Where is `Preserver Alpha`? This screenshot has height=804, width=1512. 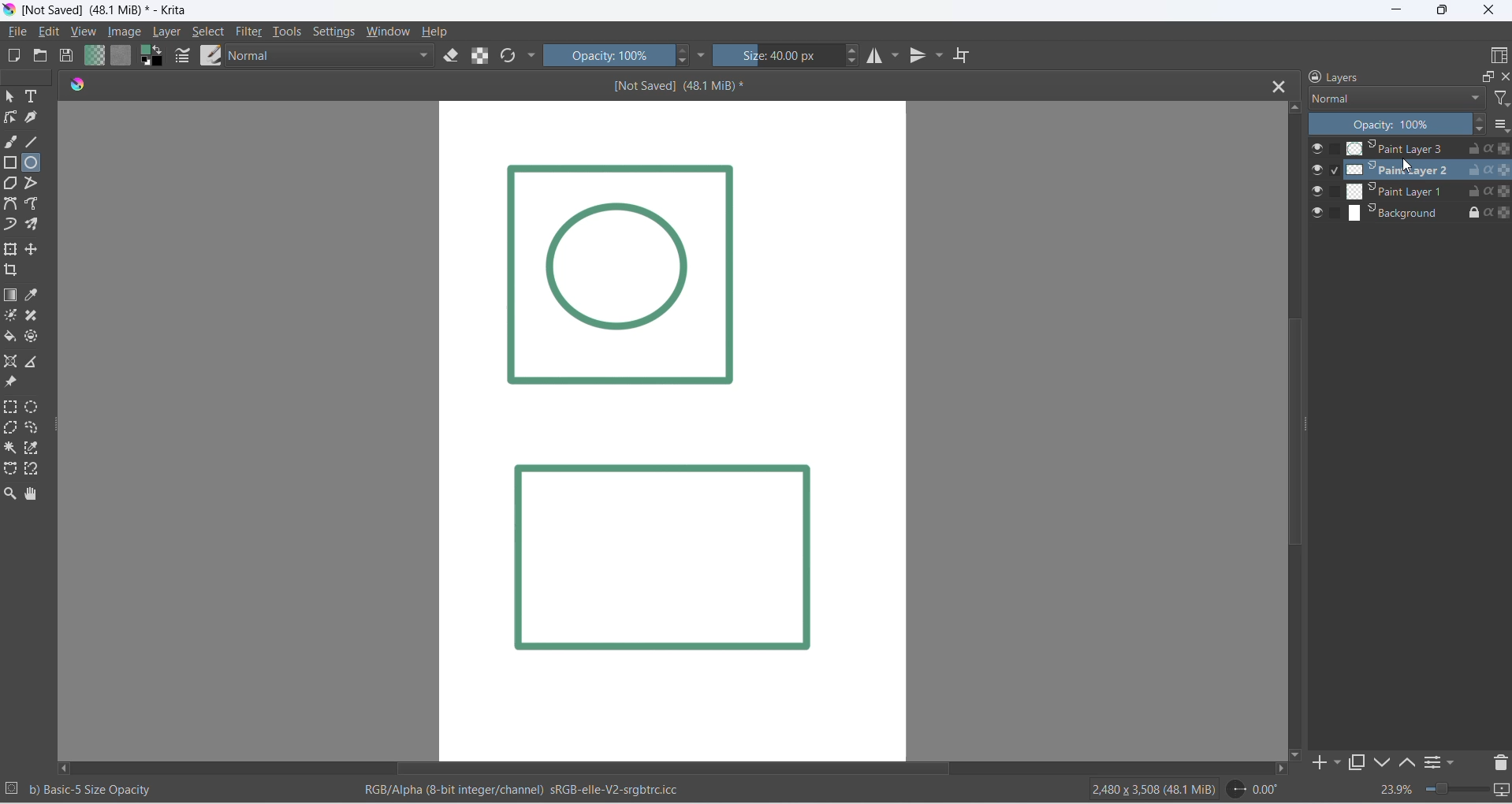
Preserver Alpha is located at coordinates (1497, 190).